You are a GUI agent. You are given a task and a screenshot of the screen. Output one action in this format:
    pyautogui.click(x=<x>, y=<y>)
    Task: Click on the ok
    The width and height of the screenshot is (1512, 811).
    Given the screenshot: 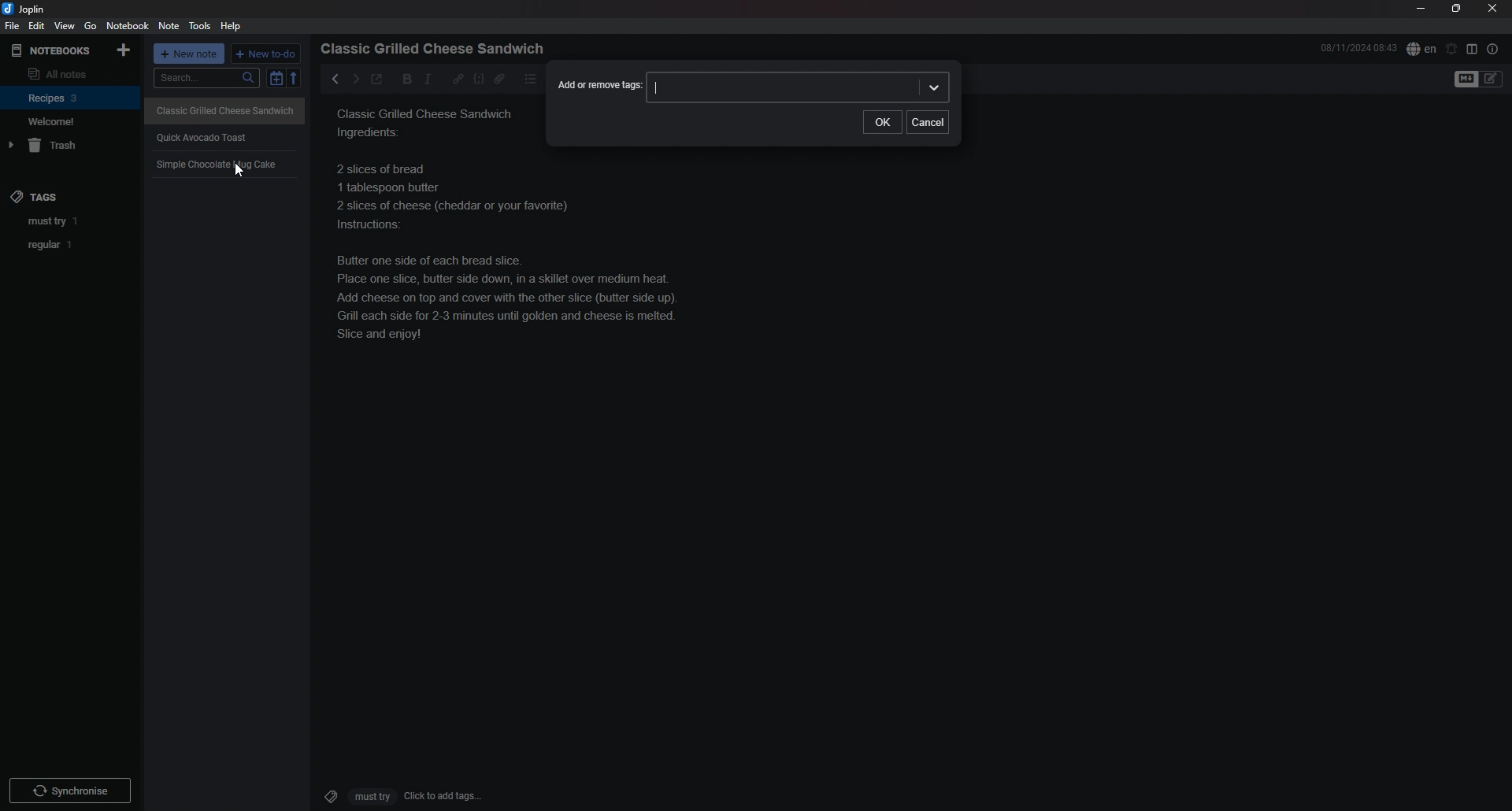 What is the action you would take?
    pyautogui.click(x=881, y=122)
    